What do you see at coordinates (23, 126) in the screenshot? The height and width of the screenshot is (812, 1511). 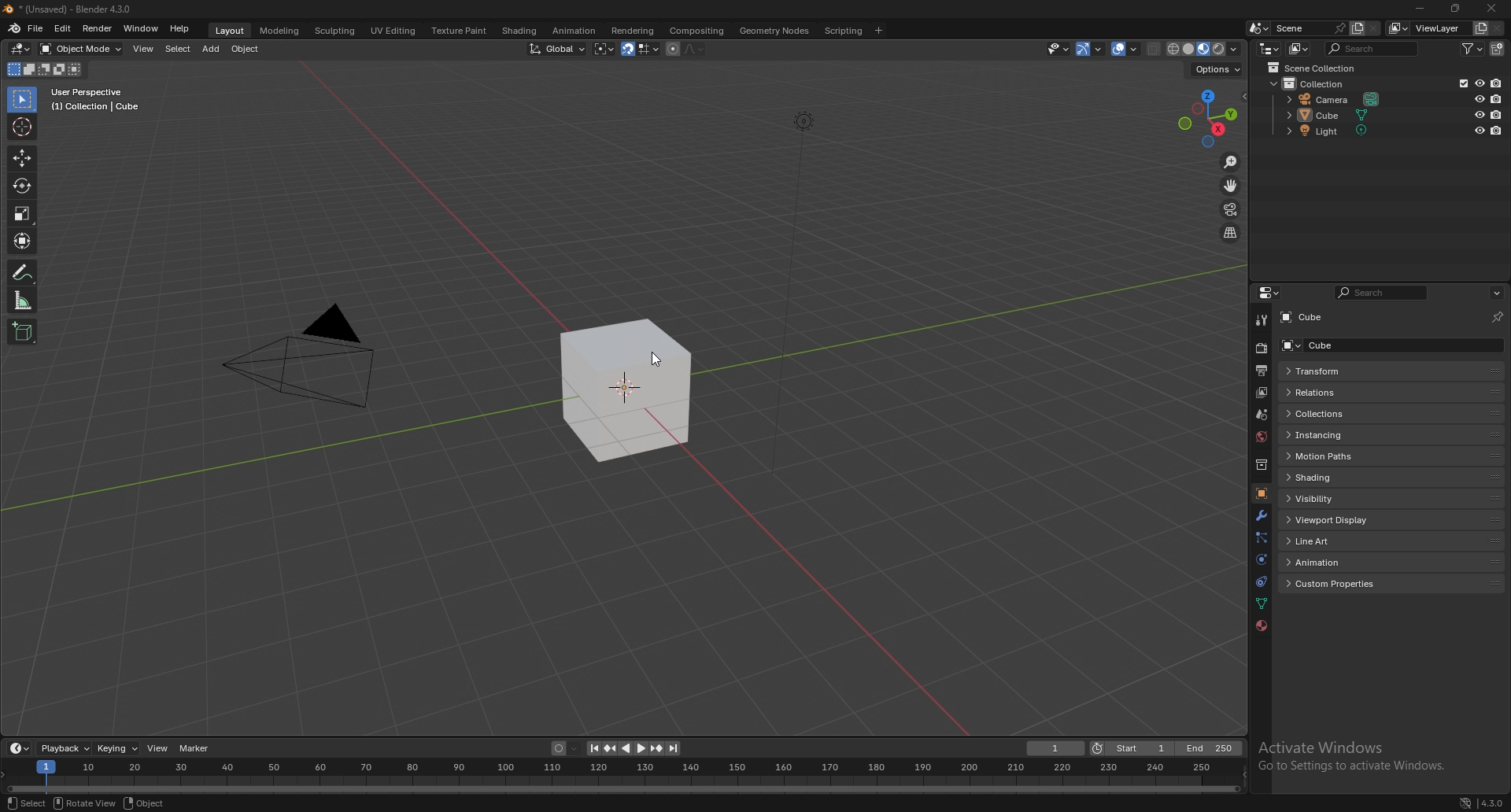 I see `cursor` at bounding box center [23, 126].